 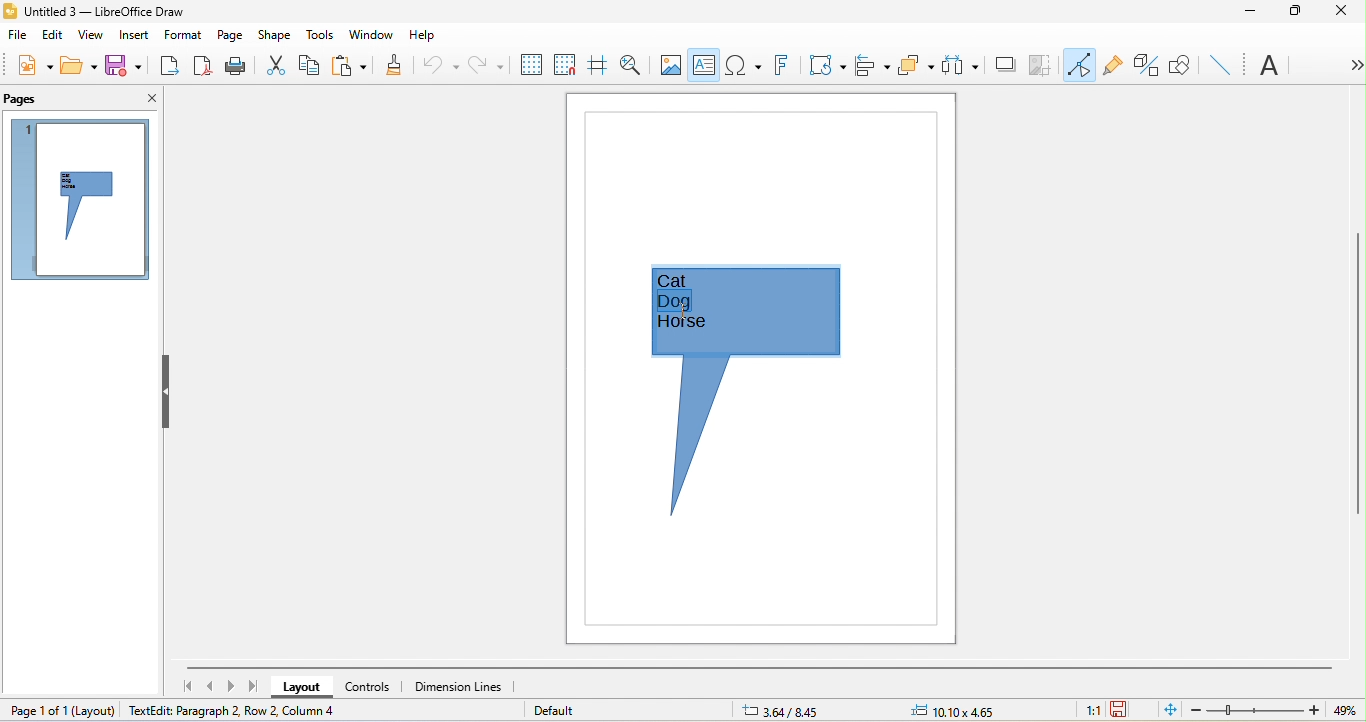 I want to click on display to grids, so click(x=527, y=64).